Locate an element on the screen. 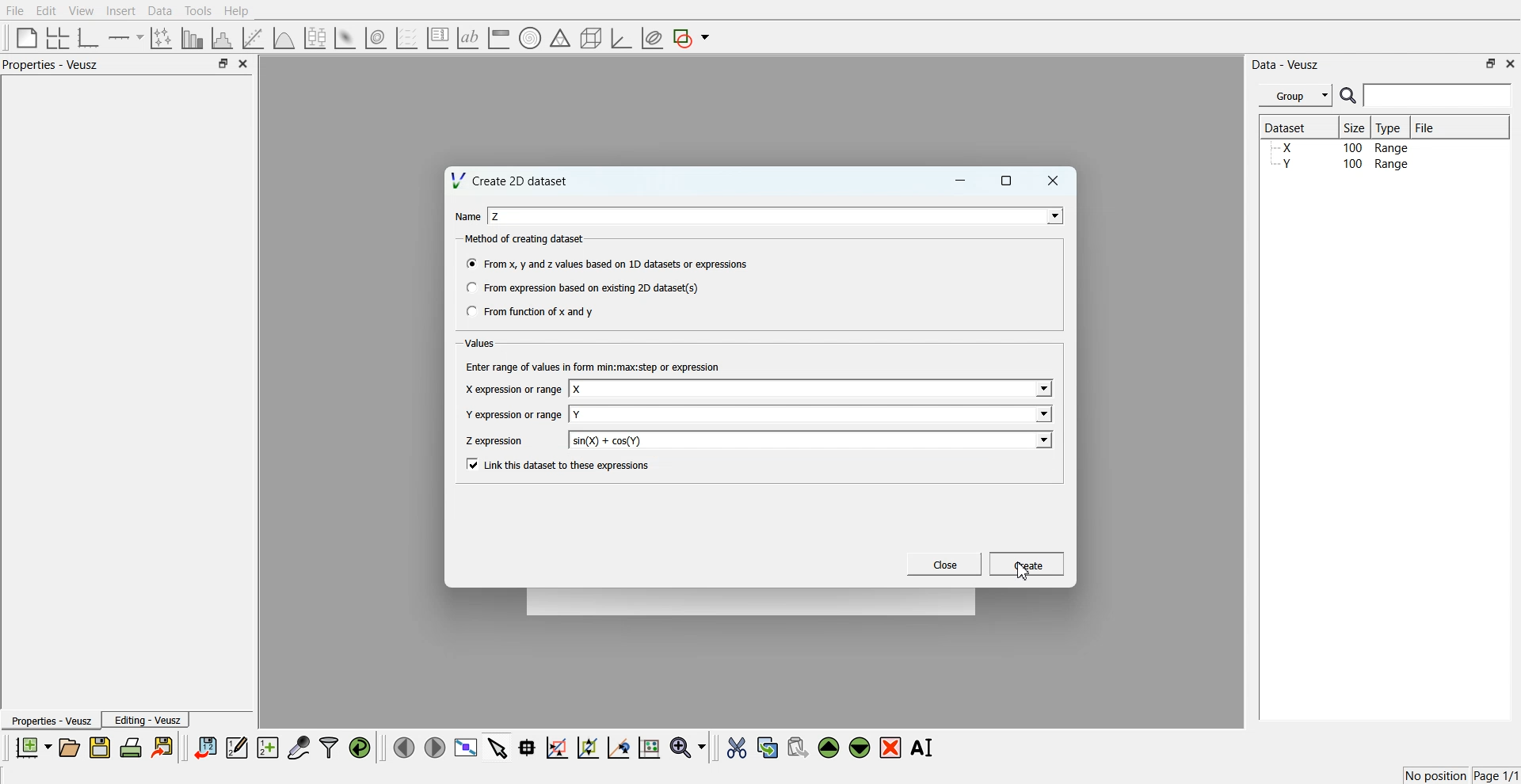  Tools is located at coordinates (199, 11).